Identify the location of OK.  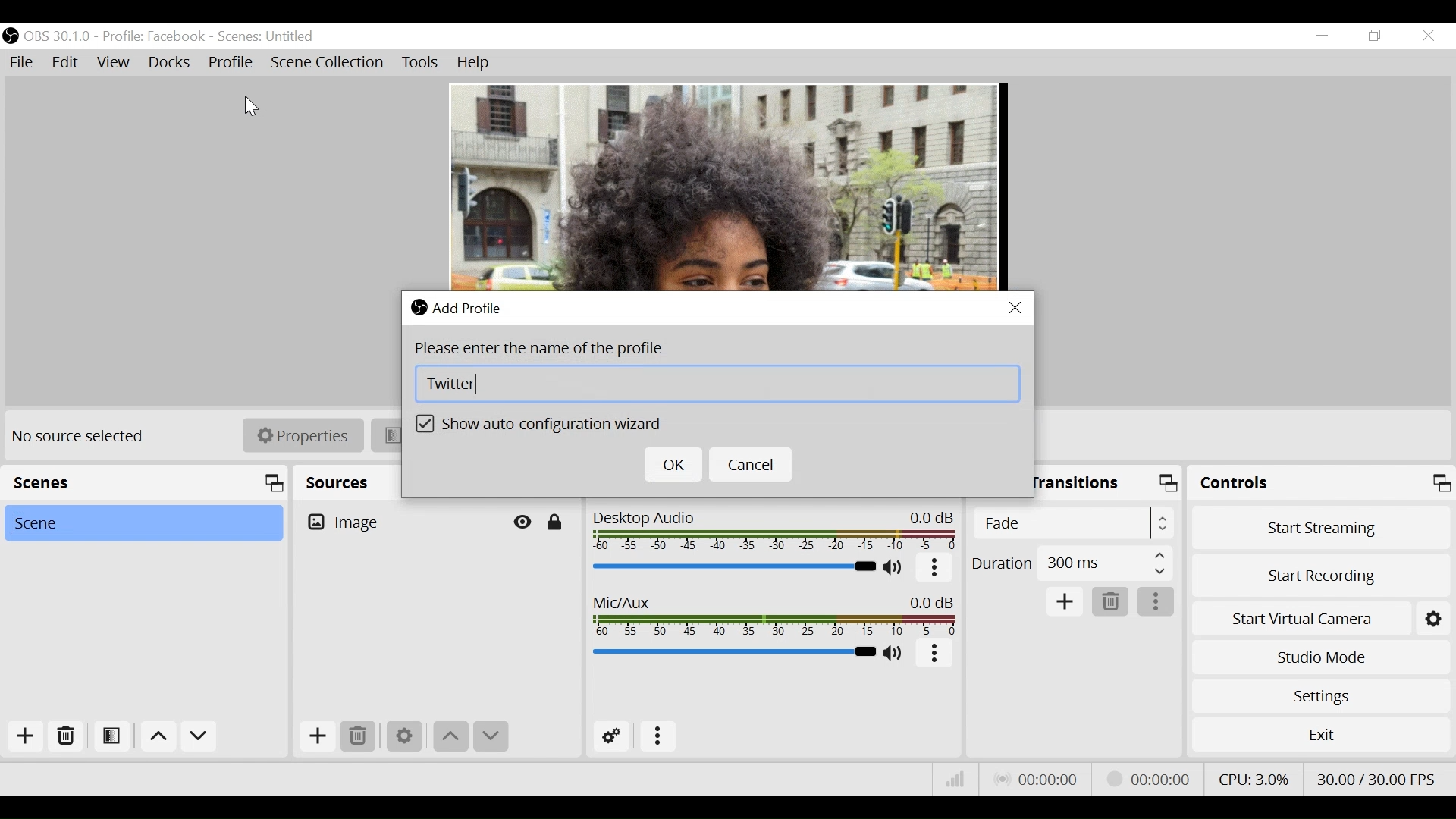
(673, 466).